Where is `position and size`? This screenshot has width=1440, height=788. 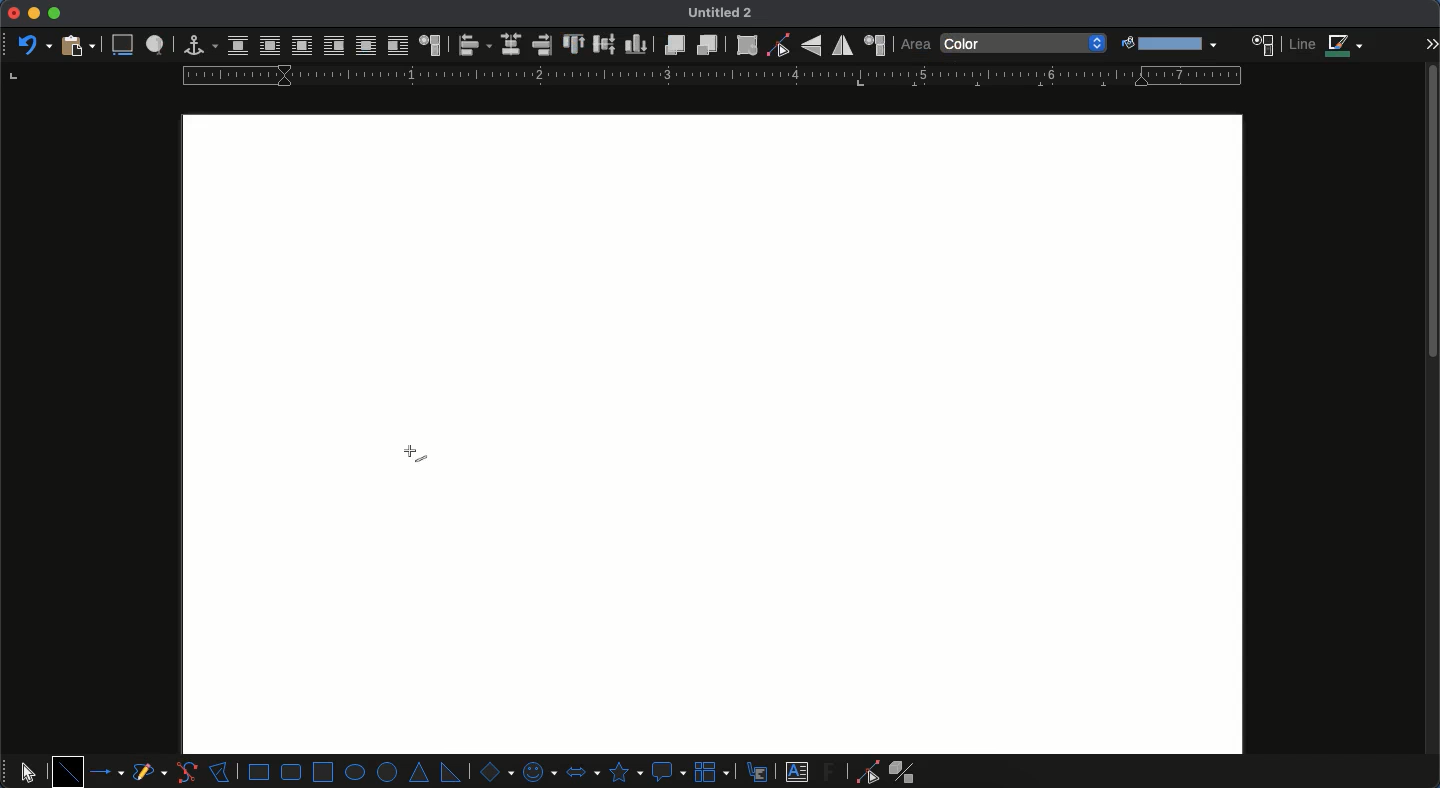 position and size is located at coordinates (874, 45).